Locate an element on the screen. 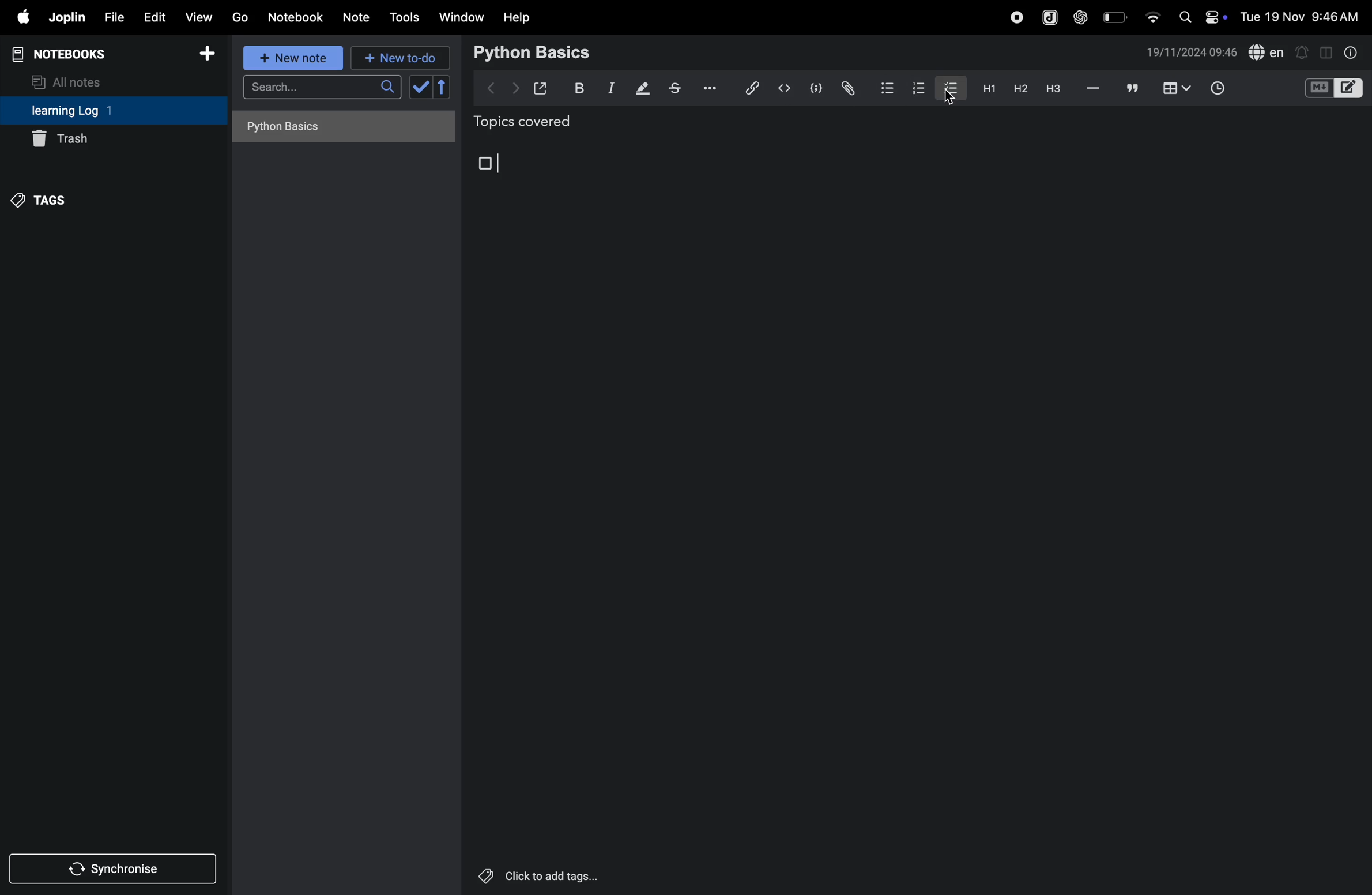  code block is located at coordinates (814, 89).